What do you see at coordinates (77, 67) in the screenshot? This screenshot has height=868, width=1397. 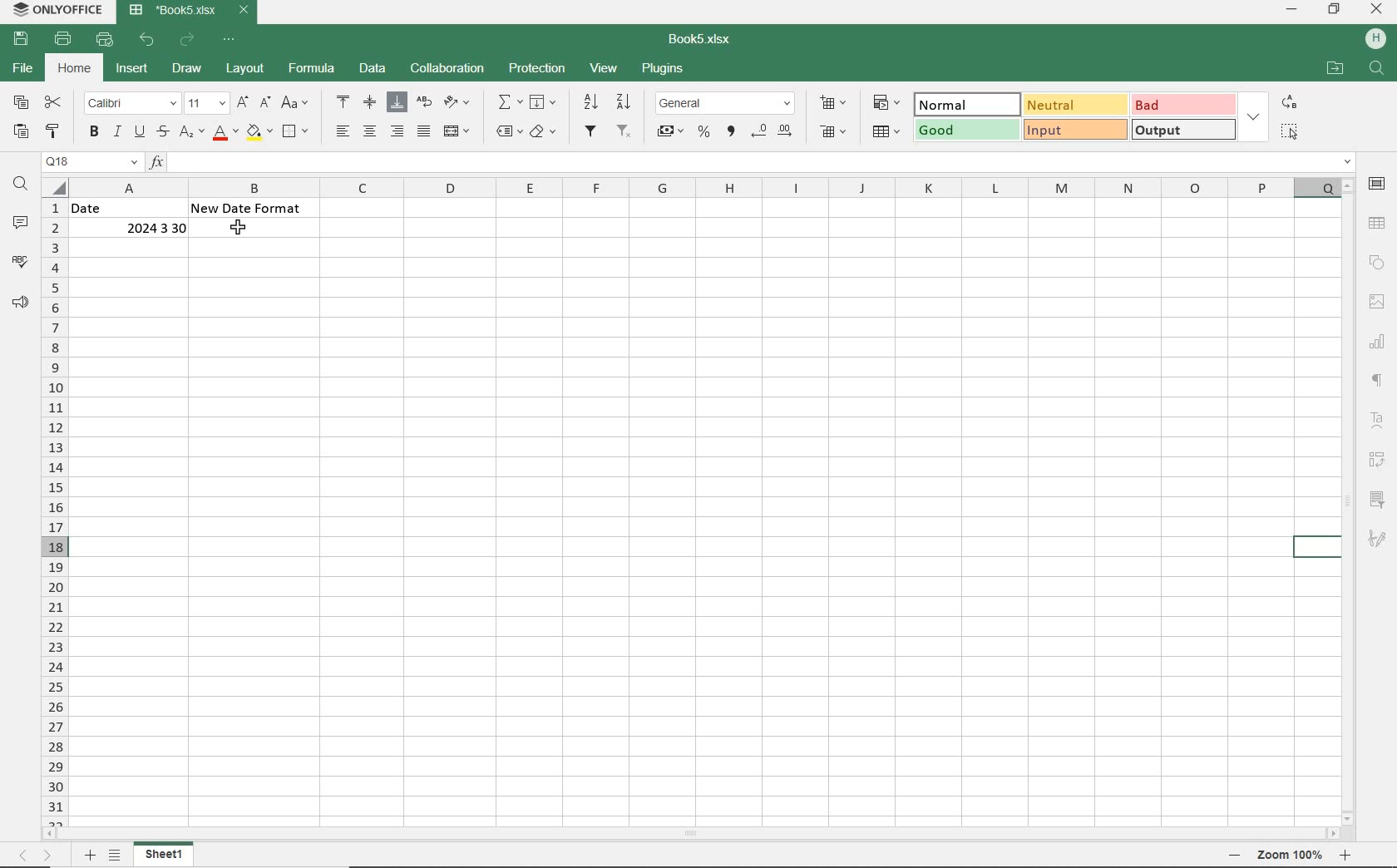 I see `HOME` at bounding box center [77, 67].